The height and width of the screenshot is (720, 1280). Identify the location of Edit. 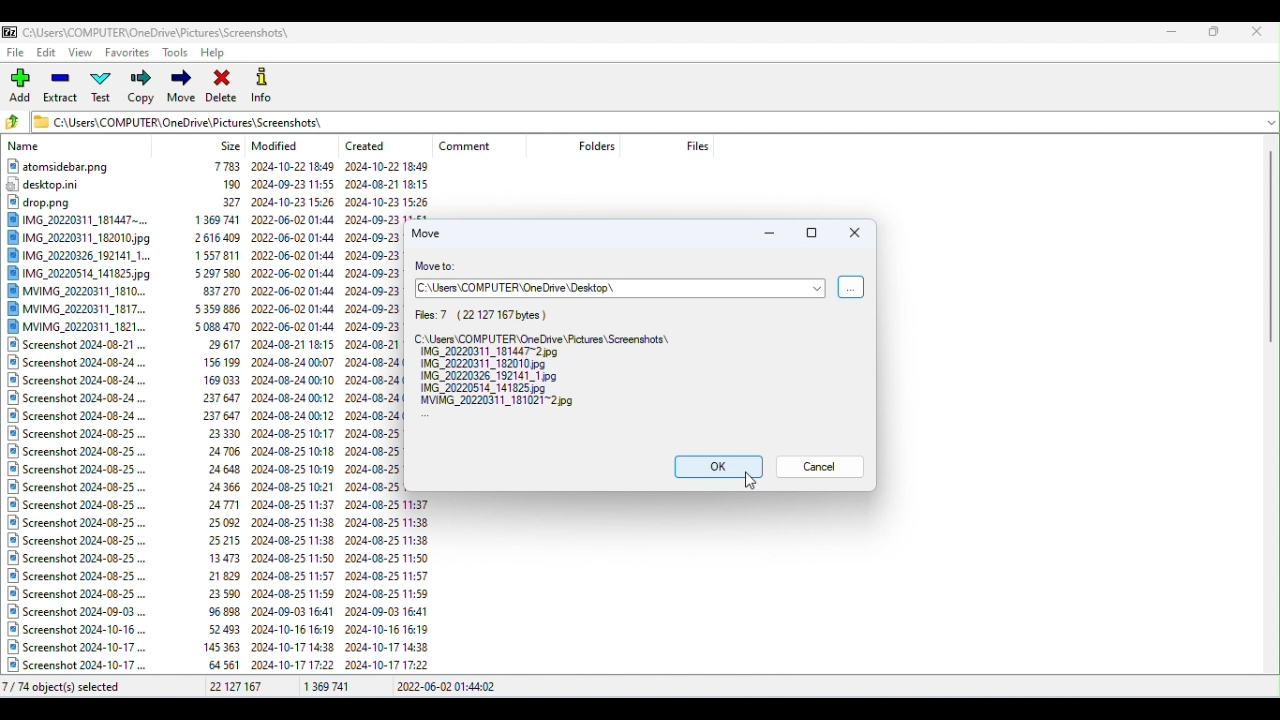
(48, 55).